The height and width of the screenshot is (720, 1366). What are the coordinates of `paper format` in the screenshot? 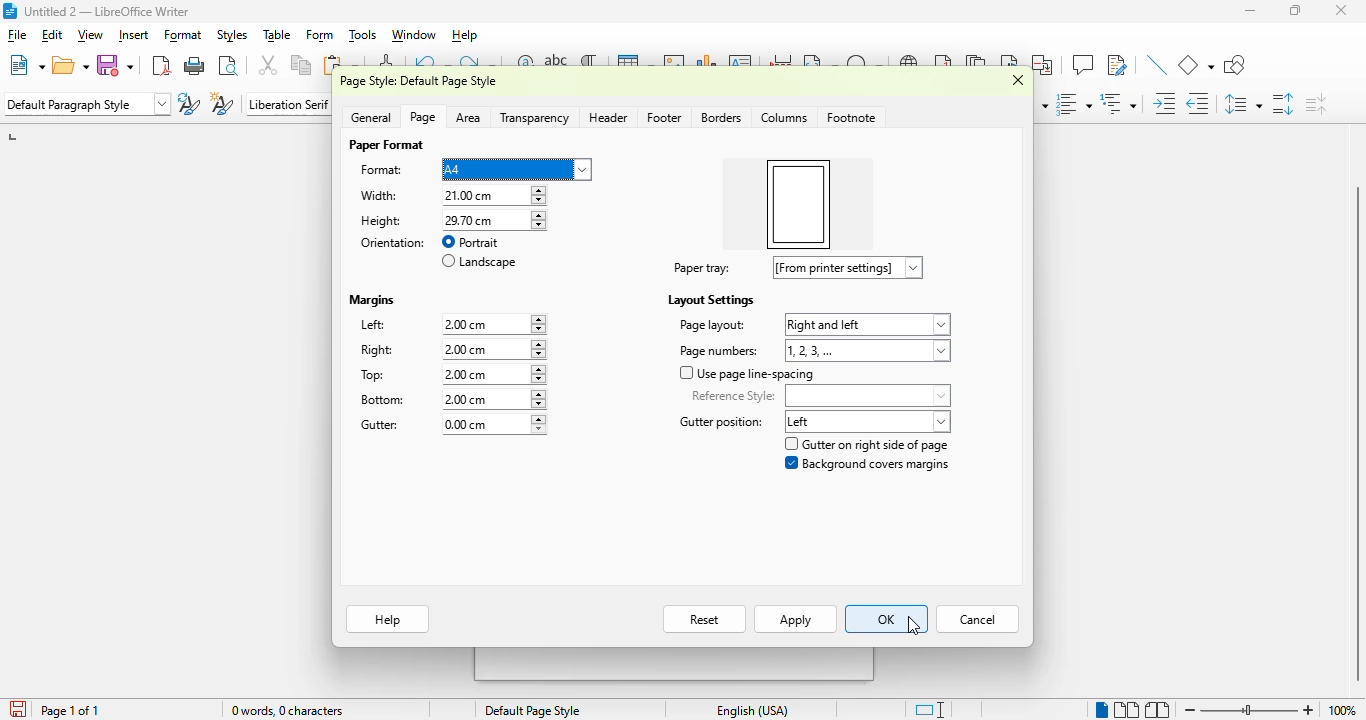 It's located at (386, 145).